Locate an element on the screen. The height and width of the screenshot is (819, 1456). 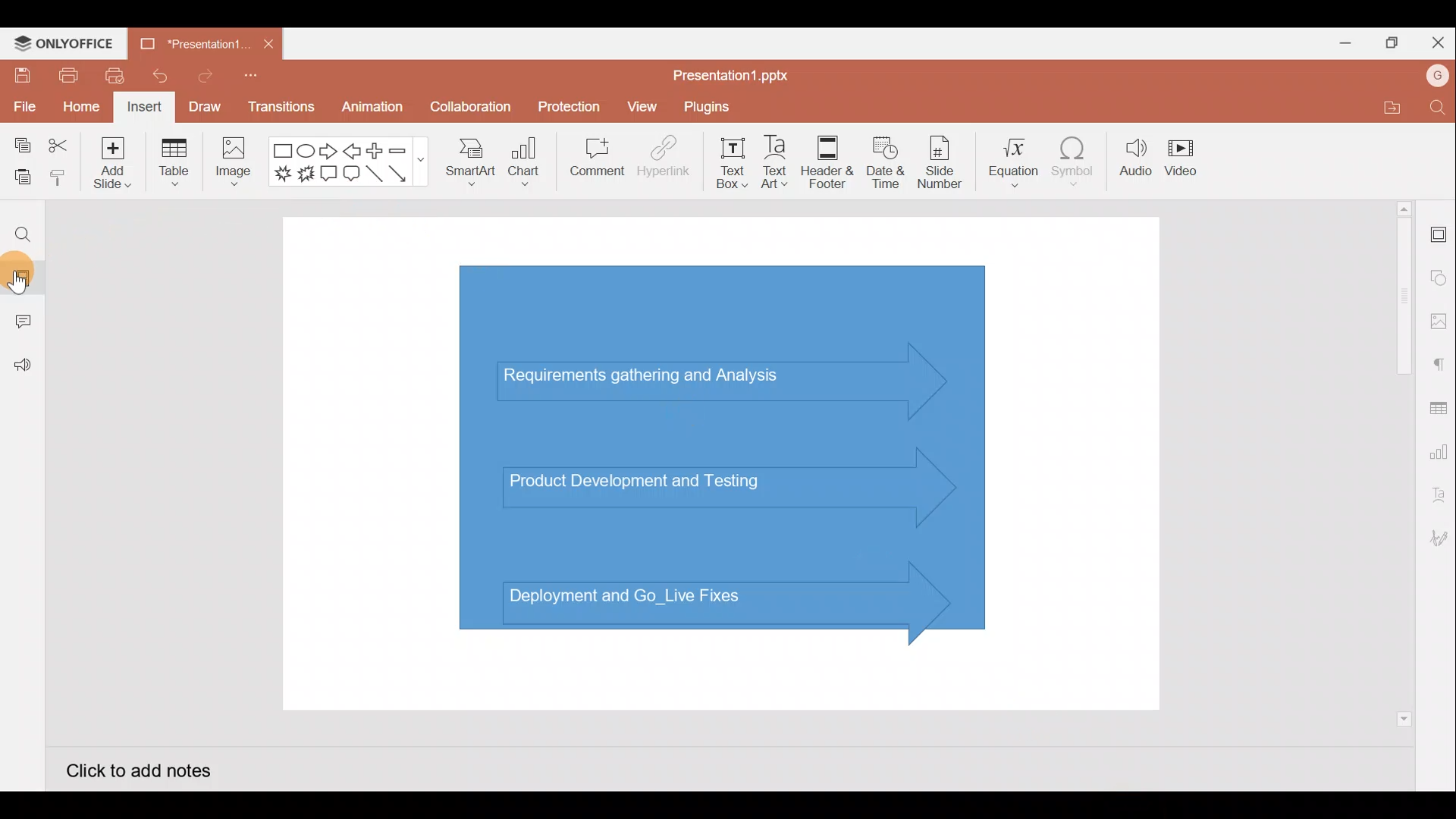
Equation is located at coordinates (1009, 163).